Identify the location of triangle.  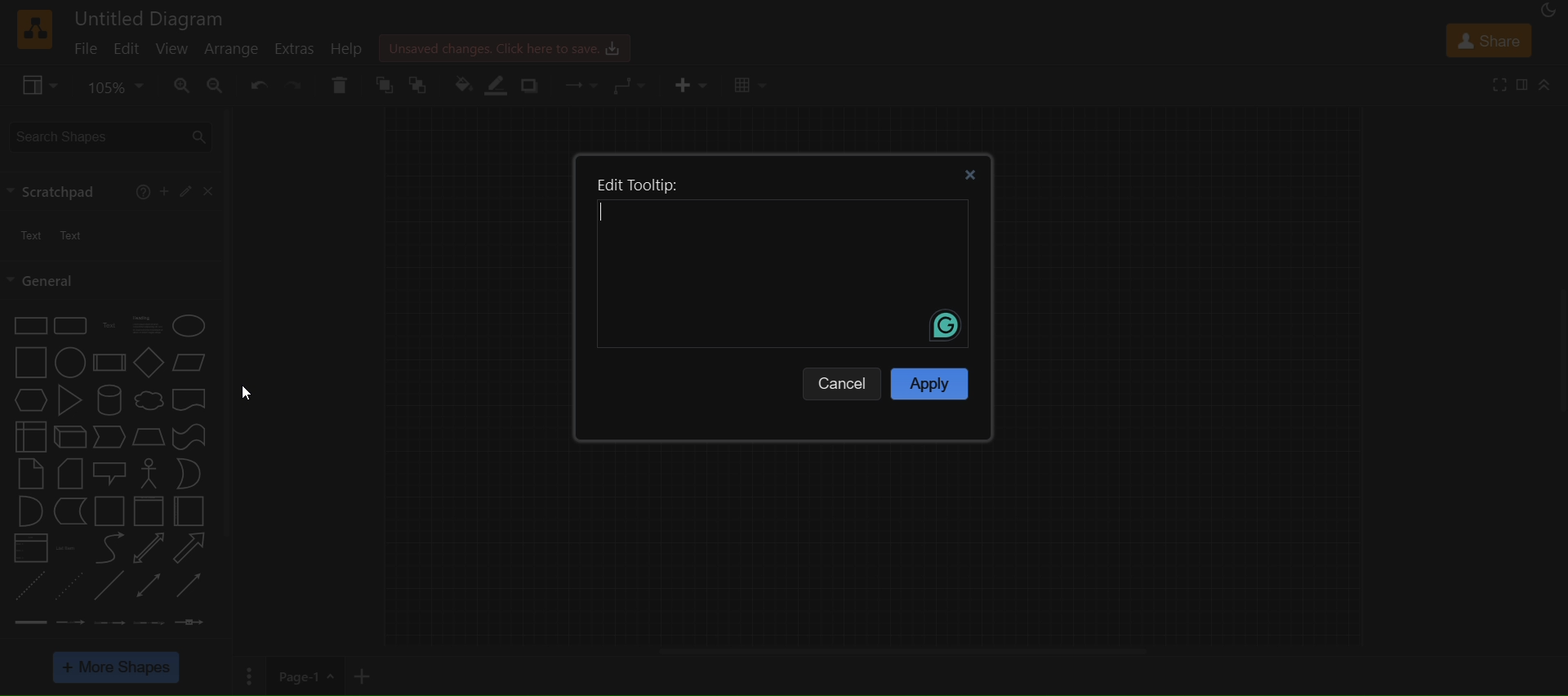
(69, 400).